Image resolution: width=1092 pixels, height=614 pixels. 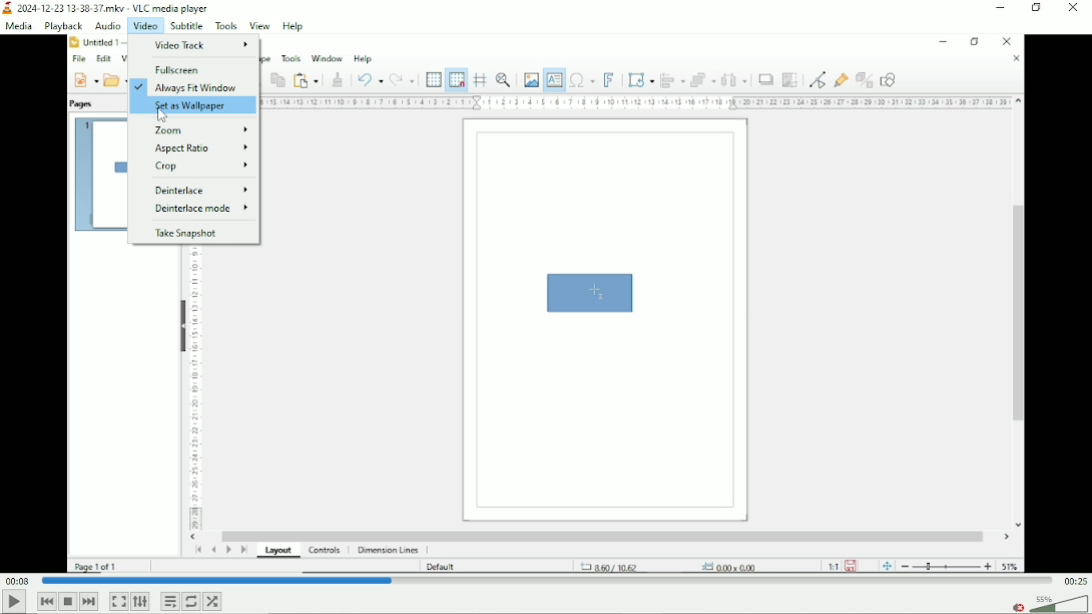 I want to click on Video track, so click(x=201, y=44).